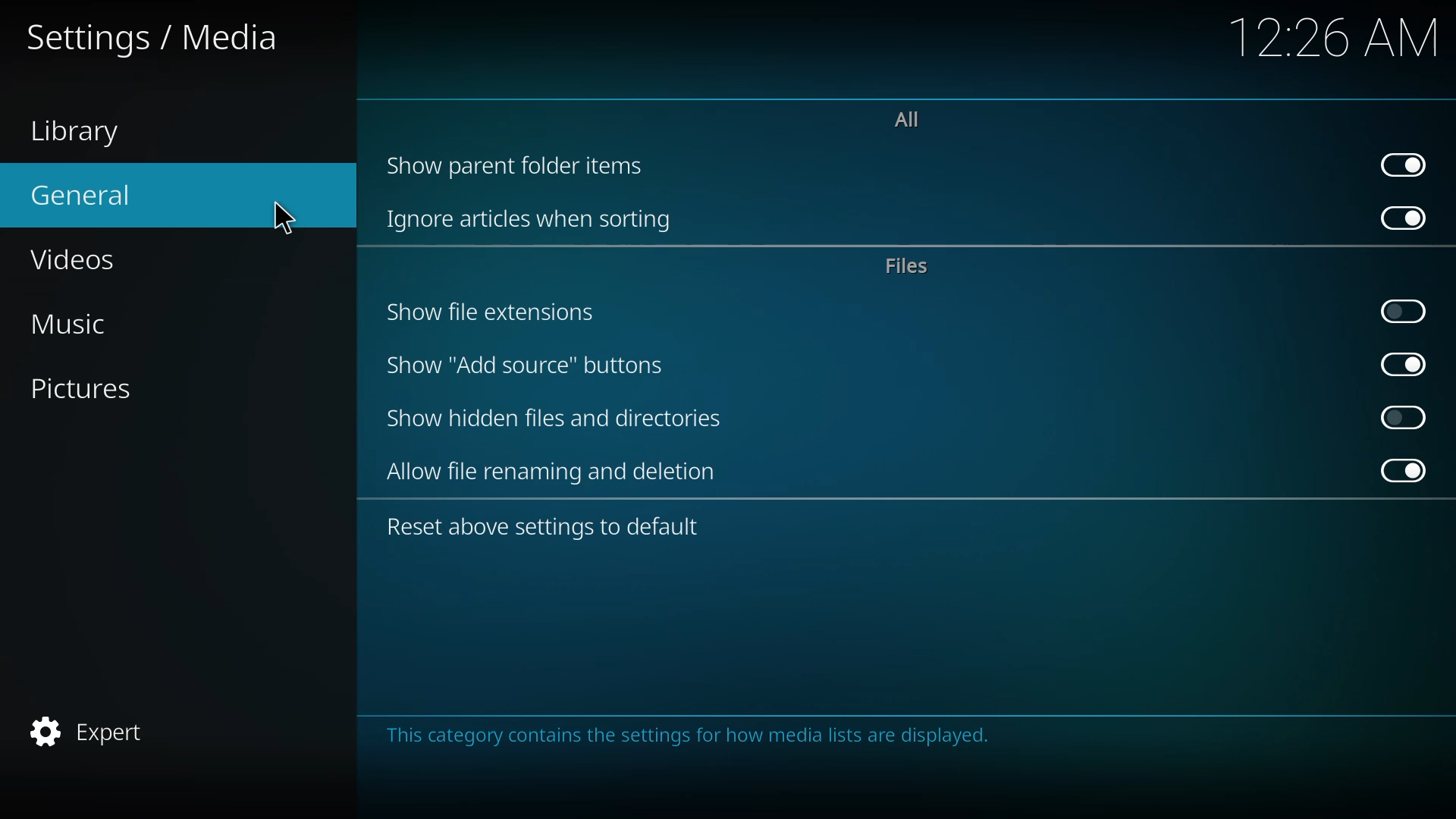 The width and height of the screenshot is (1456, 819). I want to click on general, so click(85, 193).